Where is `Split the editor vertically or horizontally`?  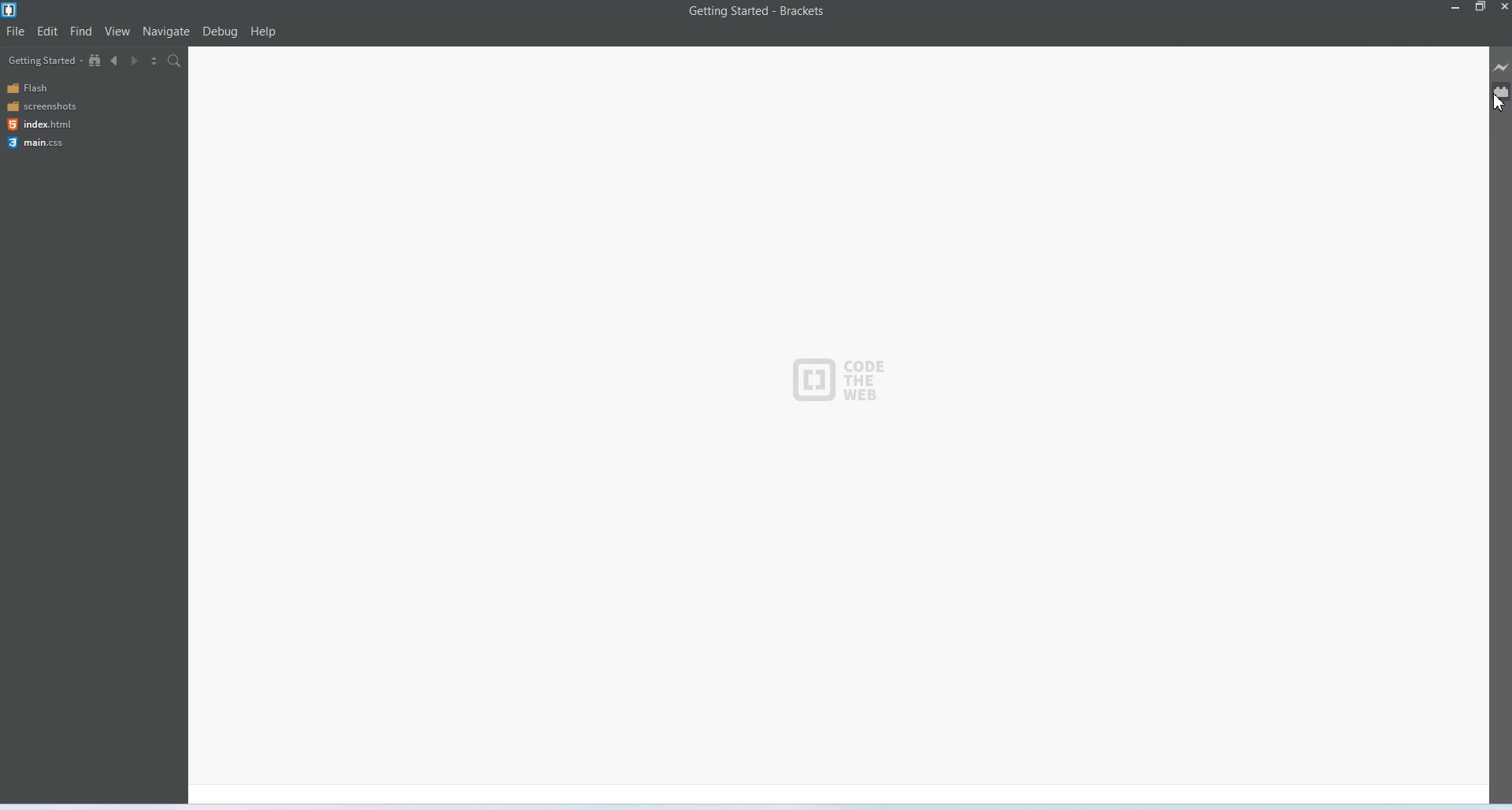 Split the editor vertically or horizontally is located at coordinates (154, 61).